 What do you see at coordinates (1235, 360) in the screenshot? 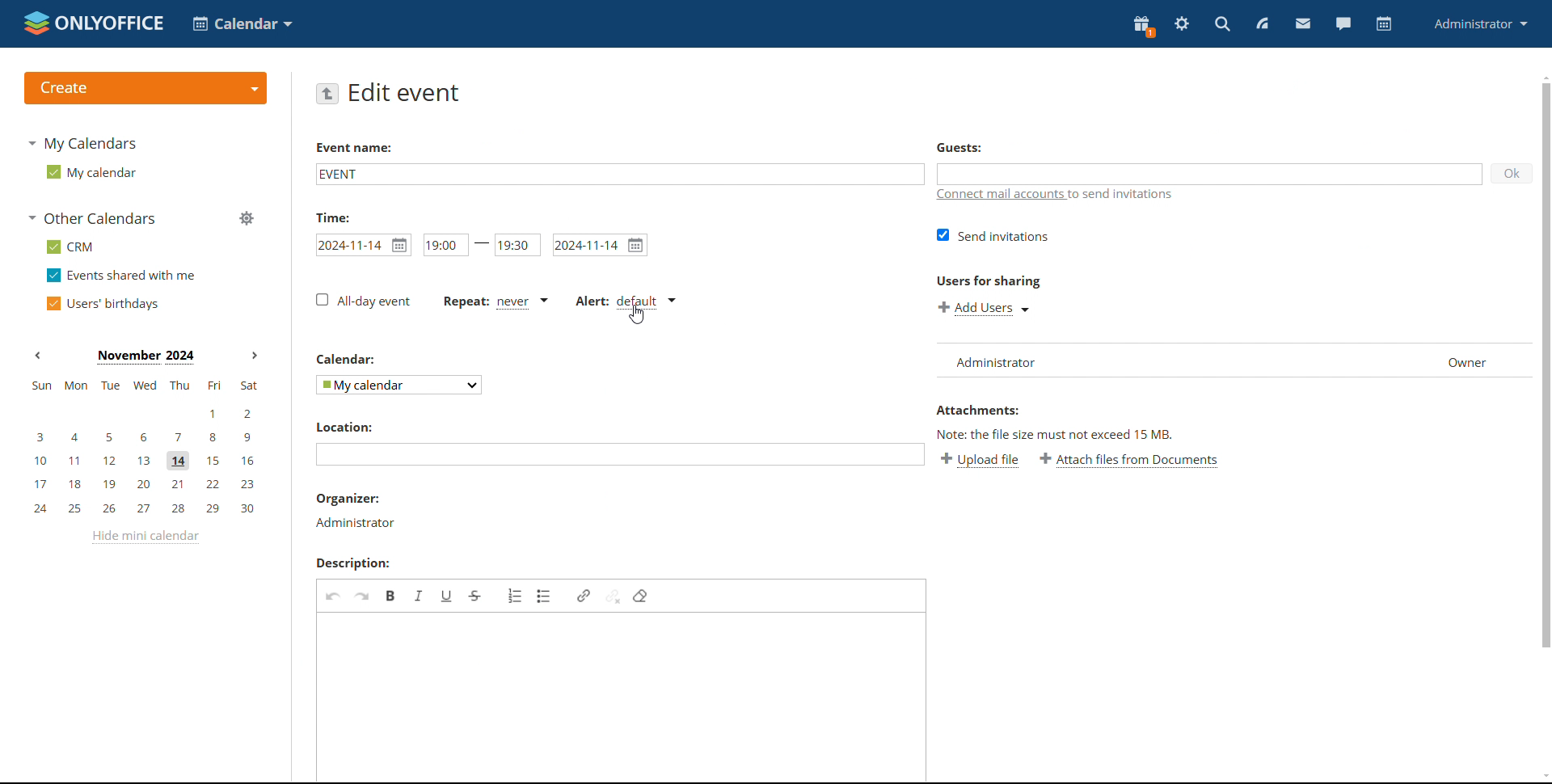
I see `list of users` at bounding box center [1235, 360].